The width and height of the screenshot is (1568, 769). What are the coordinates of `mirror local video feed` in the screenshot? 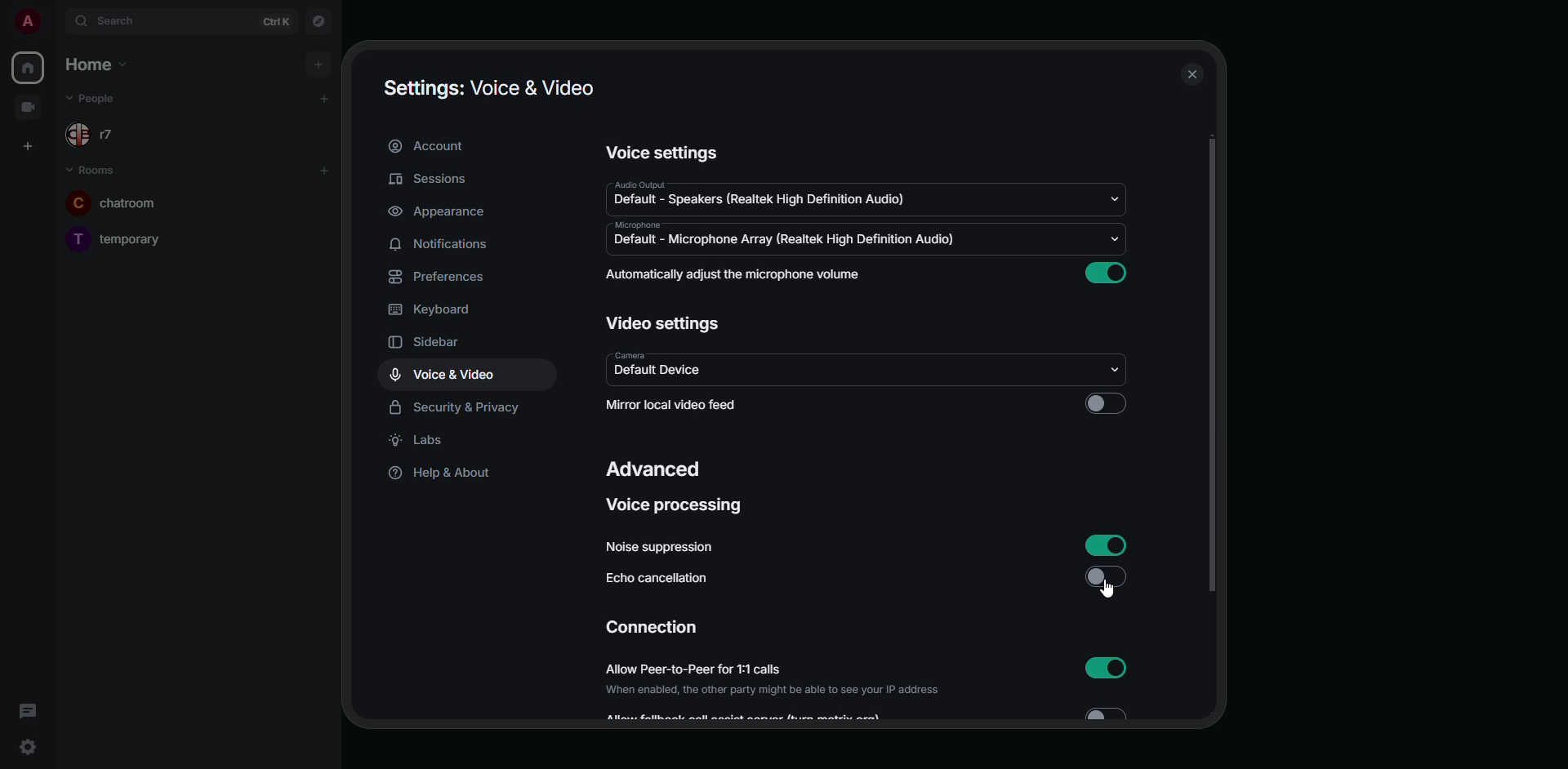 It's located at (676, 407).